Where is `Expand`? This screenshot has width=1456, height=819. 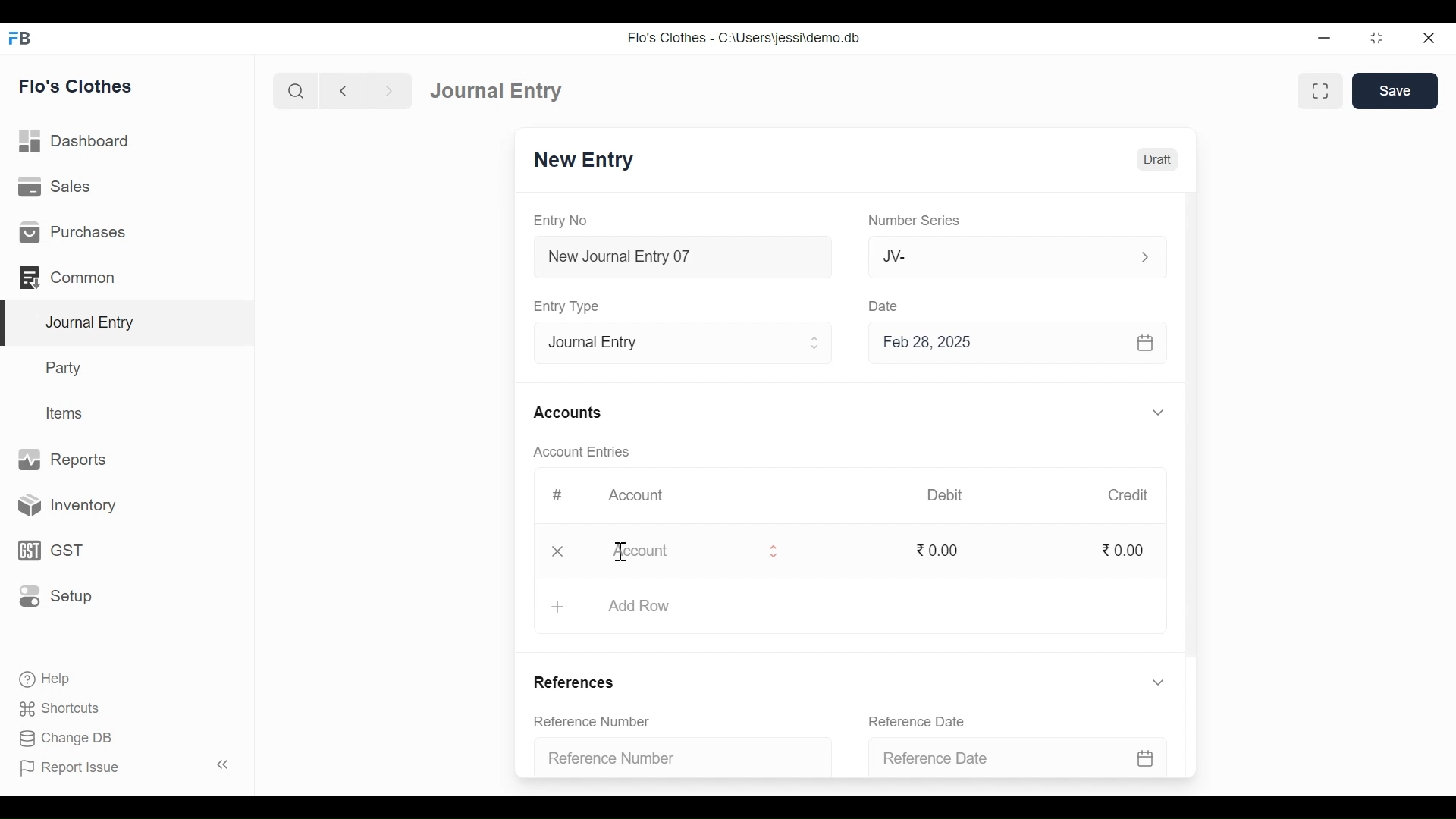 Expand is located at coordinates (1158, 412).